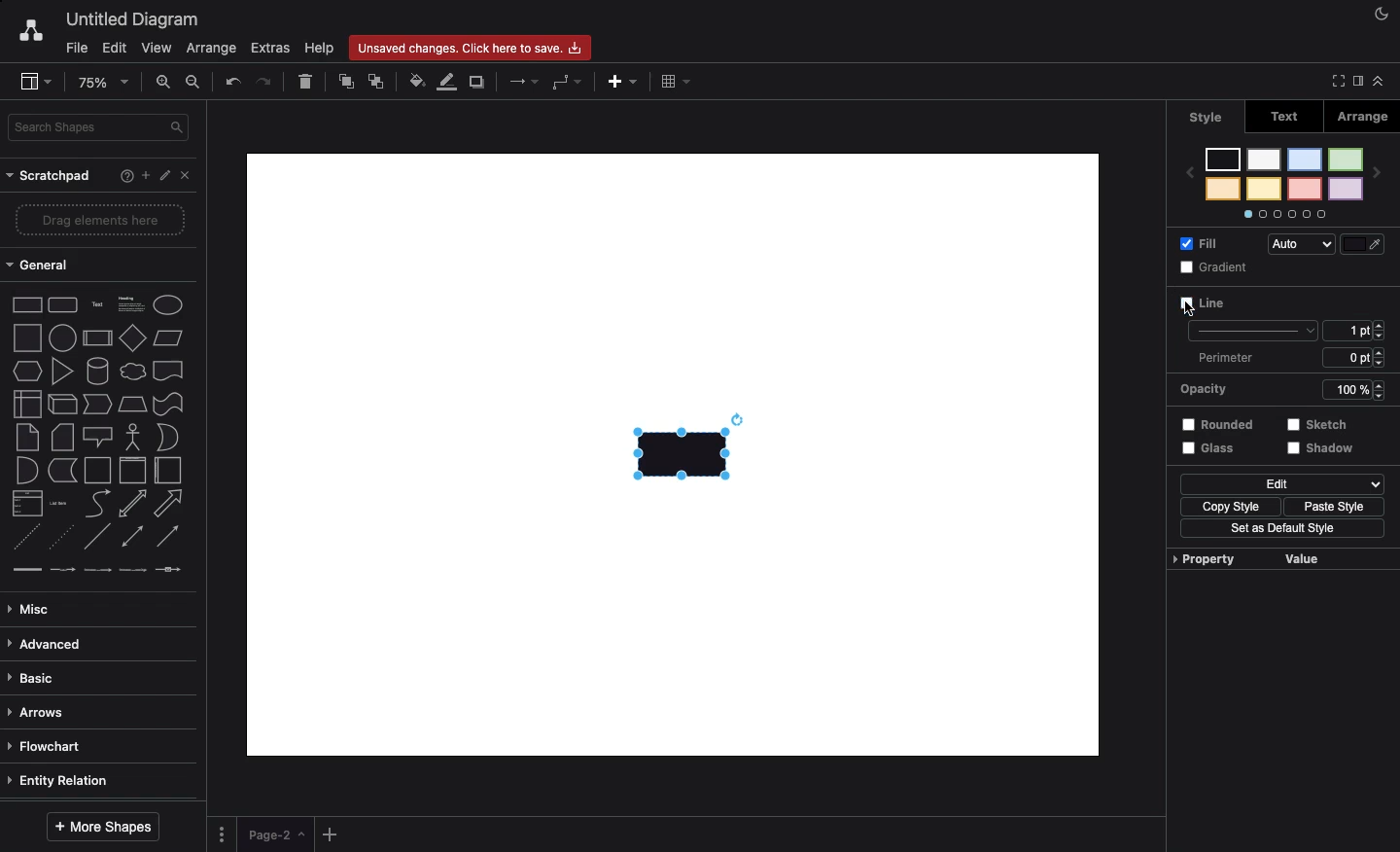 The image size is (1400, 852). What do you see at coordinates (332, 834) in the screenshot?
I see `Add` at bounding box center [332, 834].